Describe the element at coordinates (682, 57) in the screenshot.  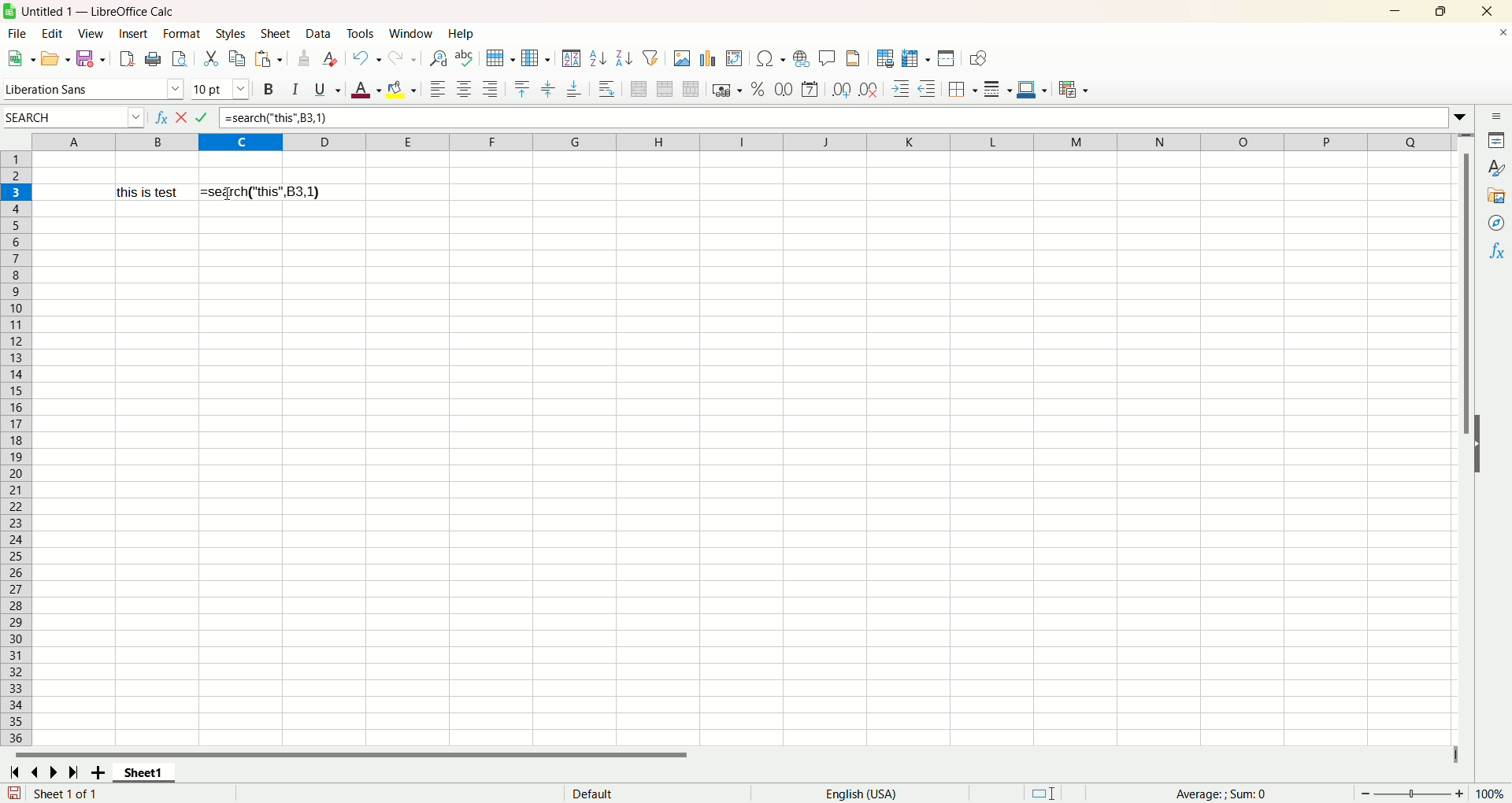
I see `insert image` at that location.